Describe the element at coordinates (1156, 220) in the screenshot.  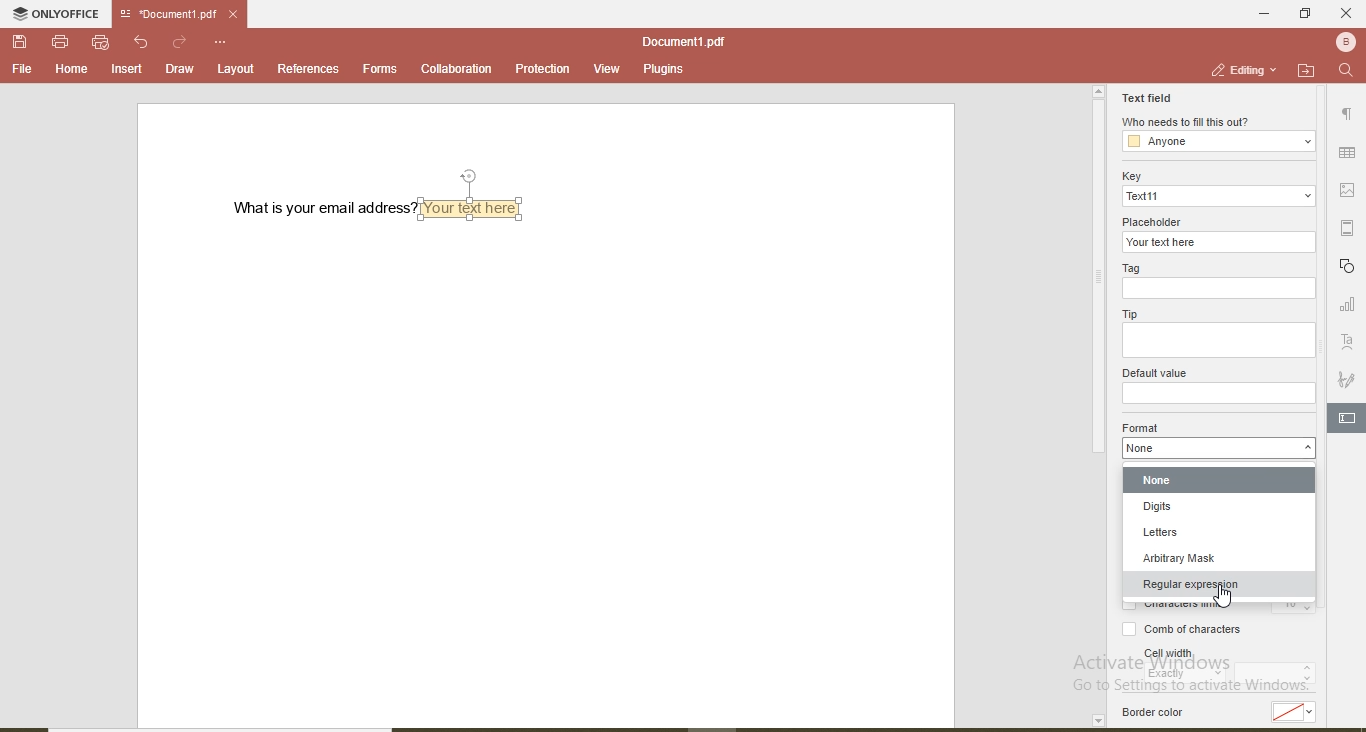
I see `placeholder` at that location.